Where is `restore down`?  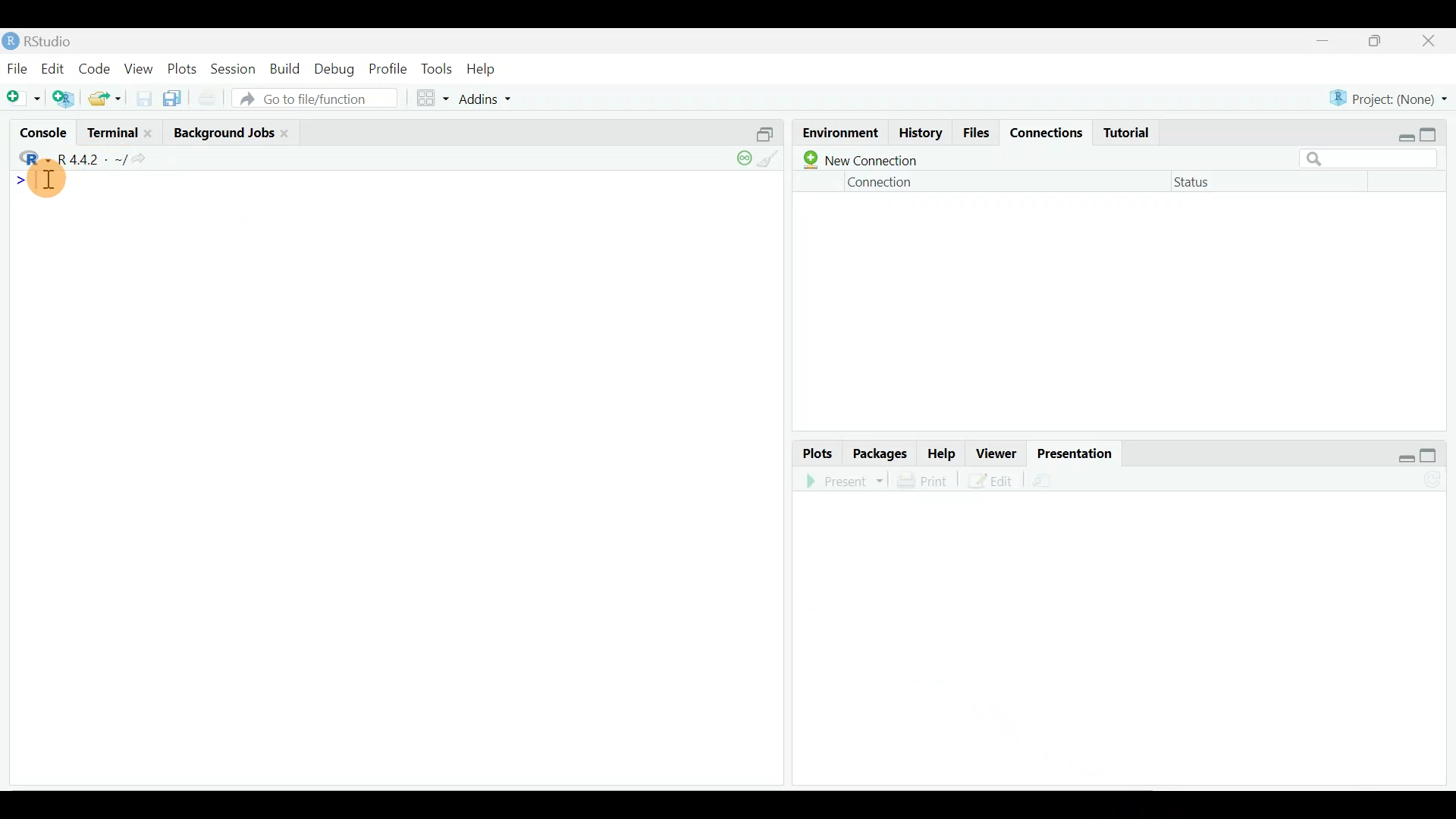
restore down is located at coordinates (1401, 129).